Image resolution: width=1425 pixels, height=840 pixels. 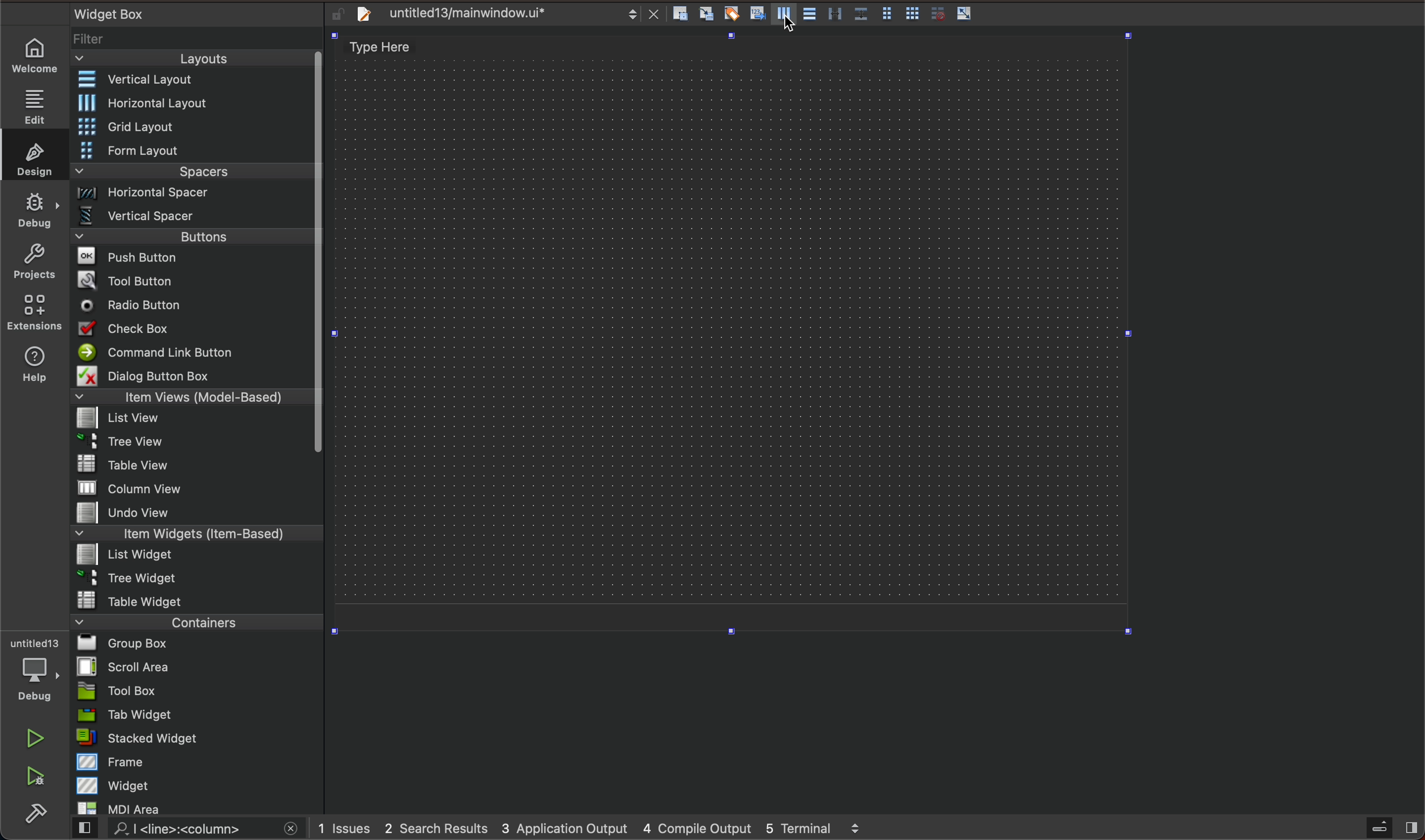 What do you see at coordinates (32, 671) in the screenshot?
I see `debug` at bounding box center [32, 671].